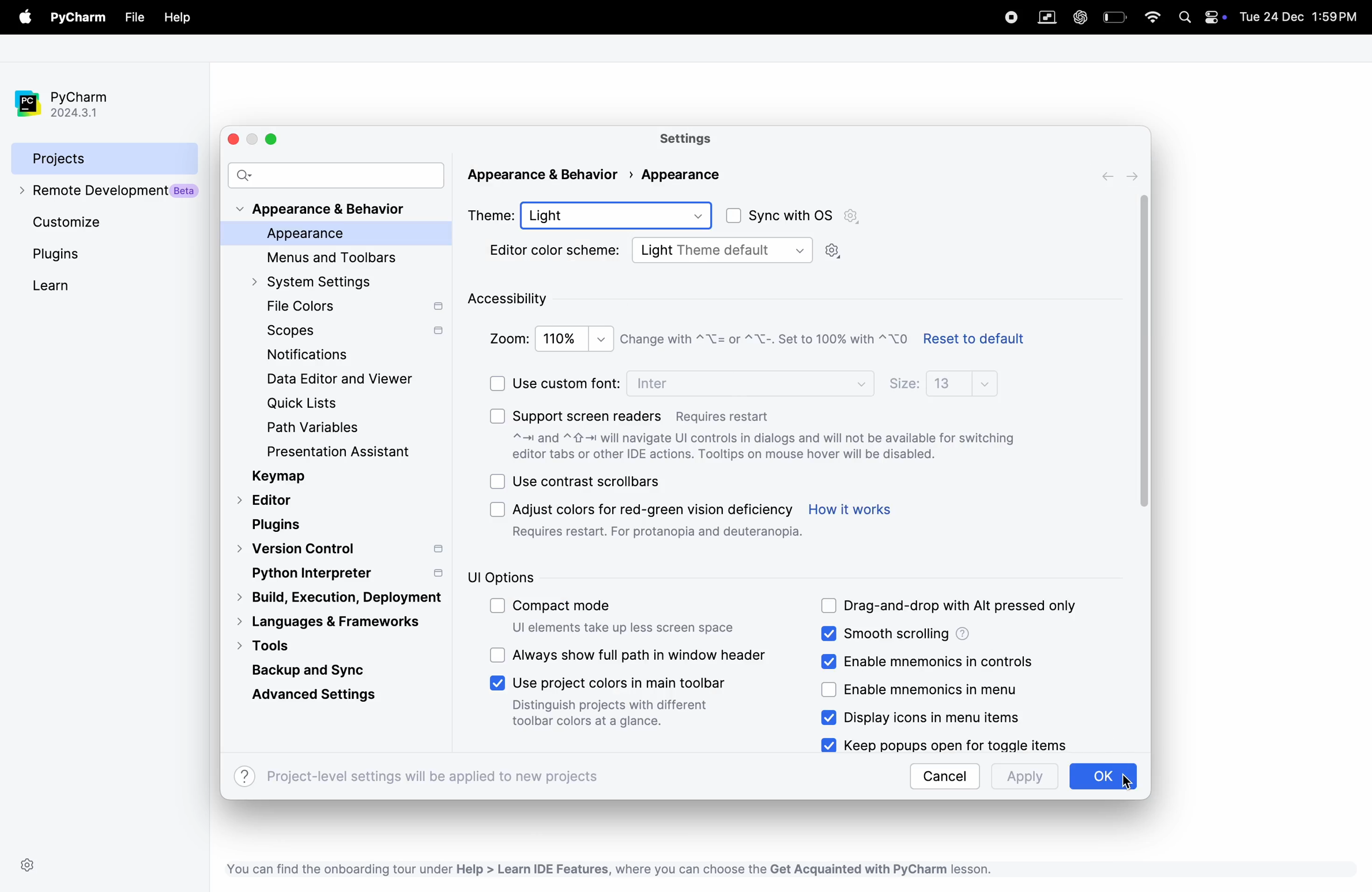  I want to click on check boxes, so click(825, 744).